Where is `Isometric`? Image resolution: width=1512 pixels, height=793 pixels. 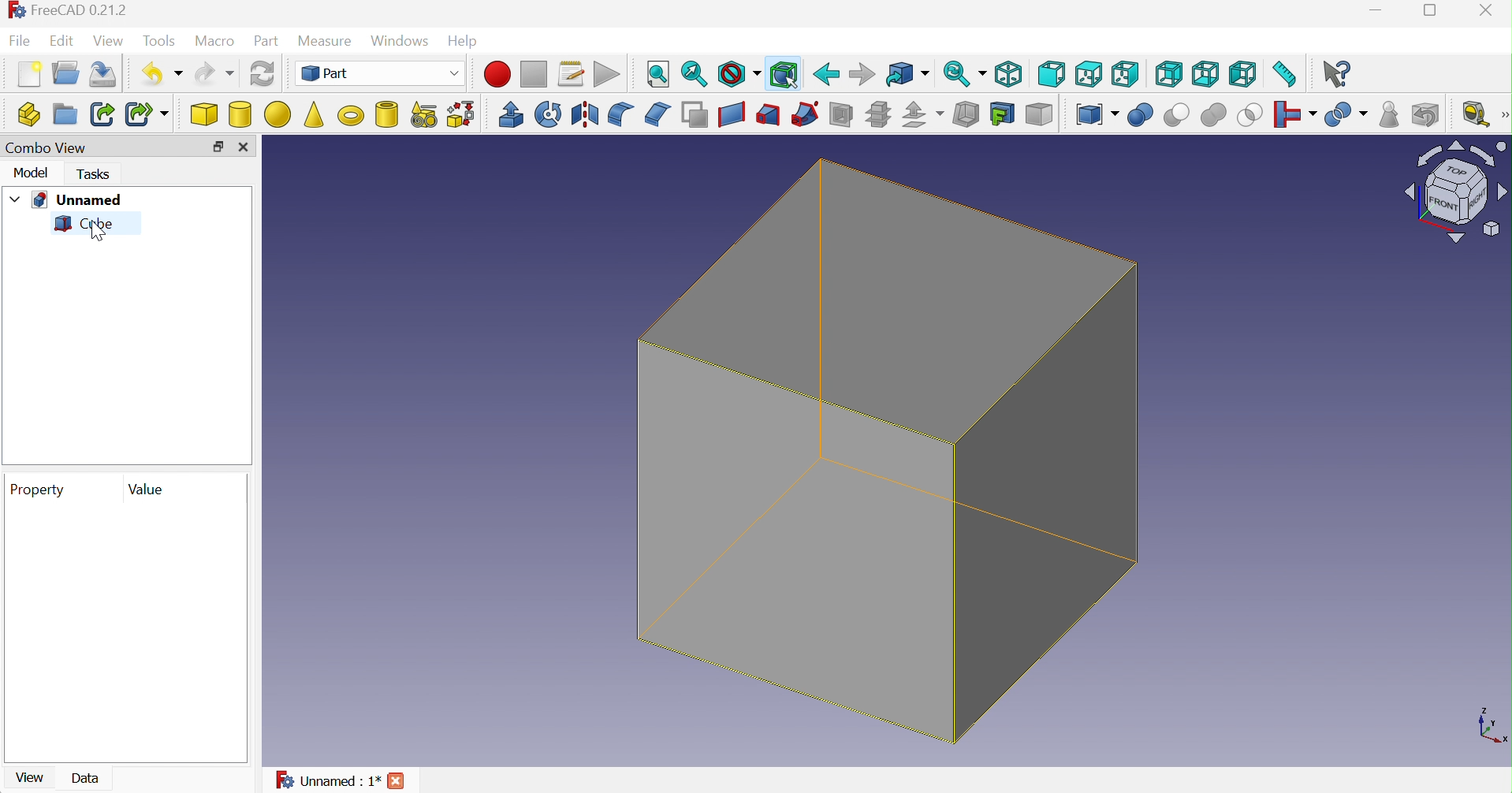 Isometric is located at coordinates (1009, 77).